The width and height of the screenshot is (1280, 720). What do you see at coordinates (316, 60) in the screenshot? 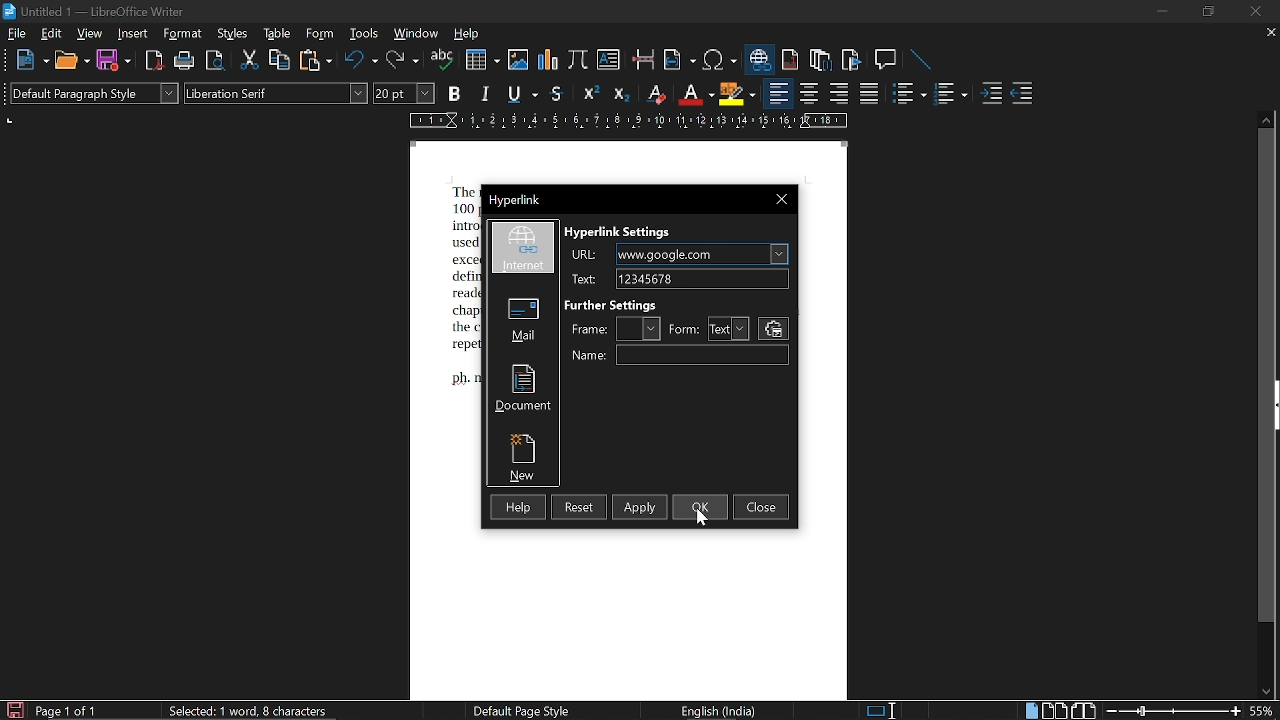
I see `paste` at bounding box center [316, 60].